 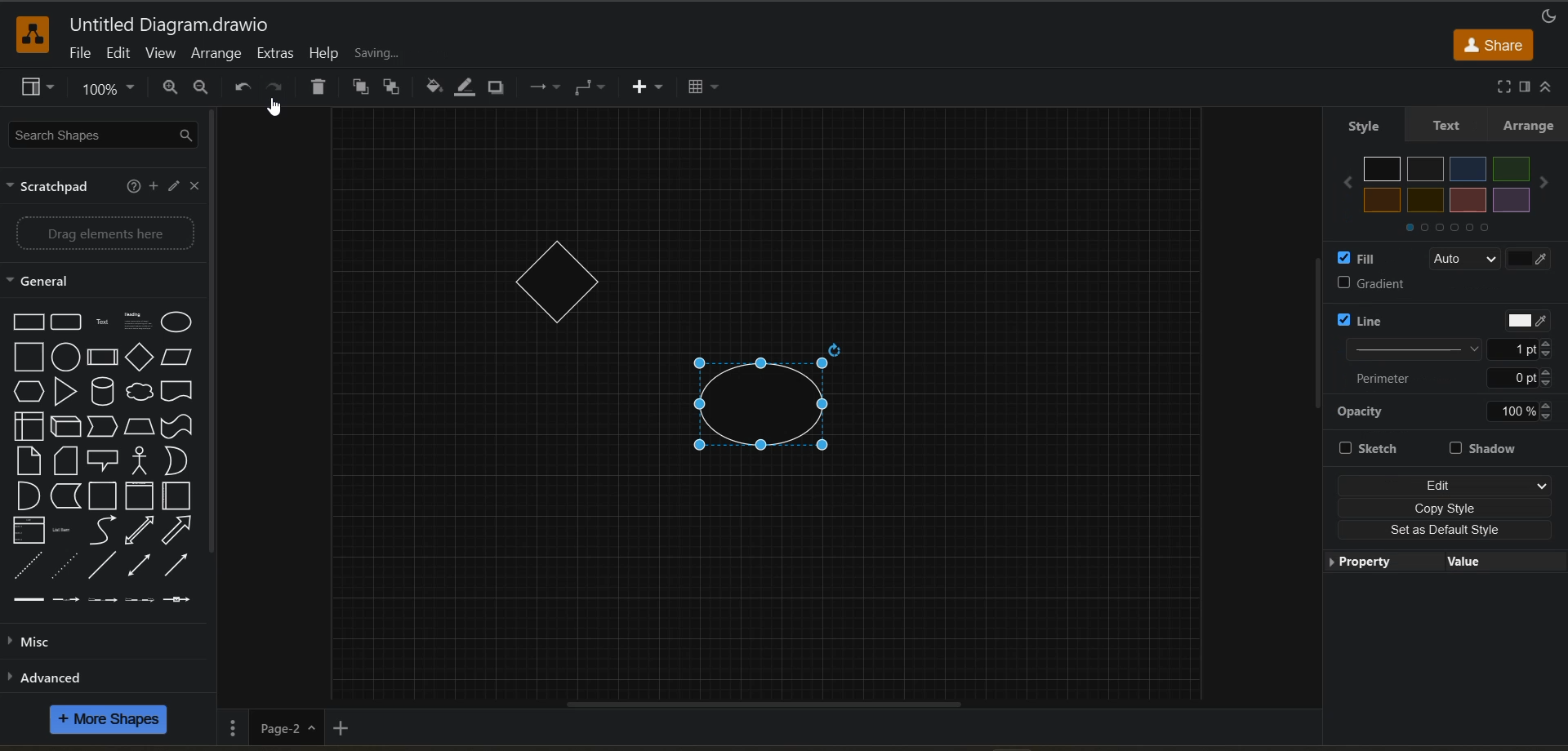 I want to click on drag elements here, so click(x=98, y=233).